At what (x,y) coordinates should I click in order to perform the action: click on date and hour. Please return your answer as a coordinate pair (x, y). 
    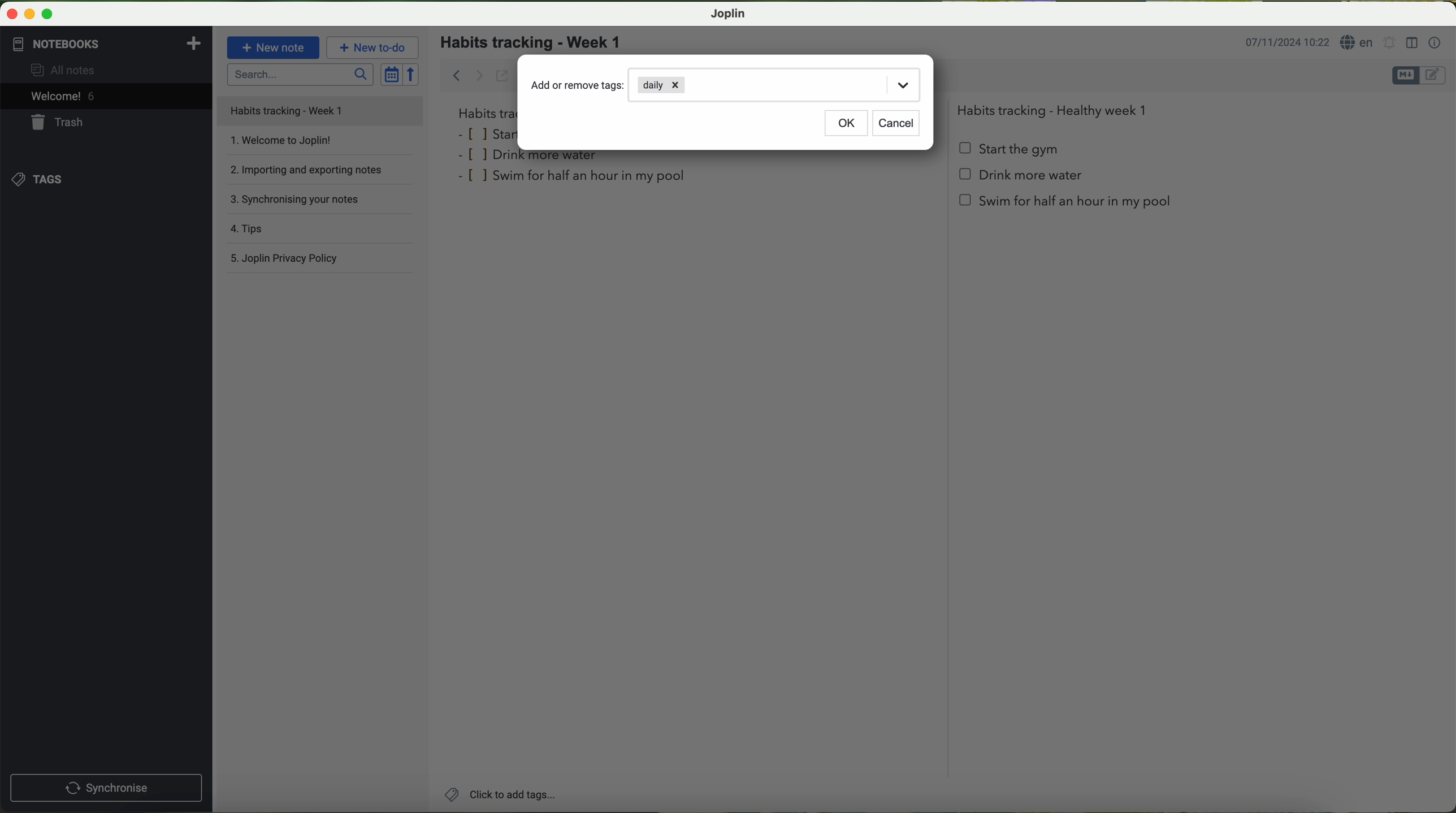
    Looking at the image, I should click on (1287, 41).